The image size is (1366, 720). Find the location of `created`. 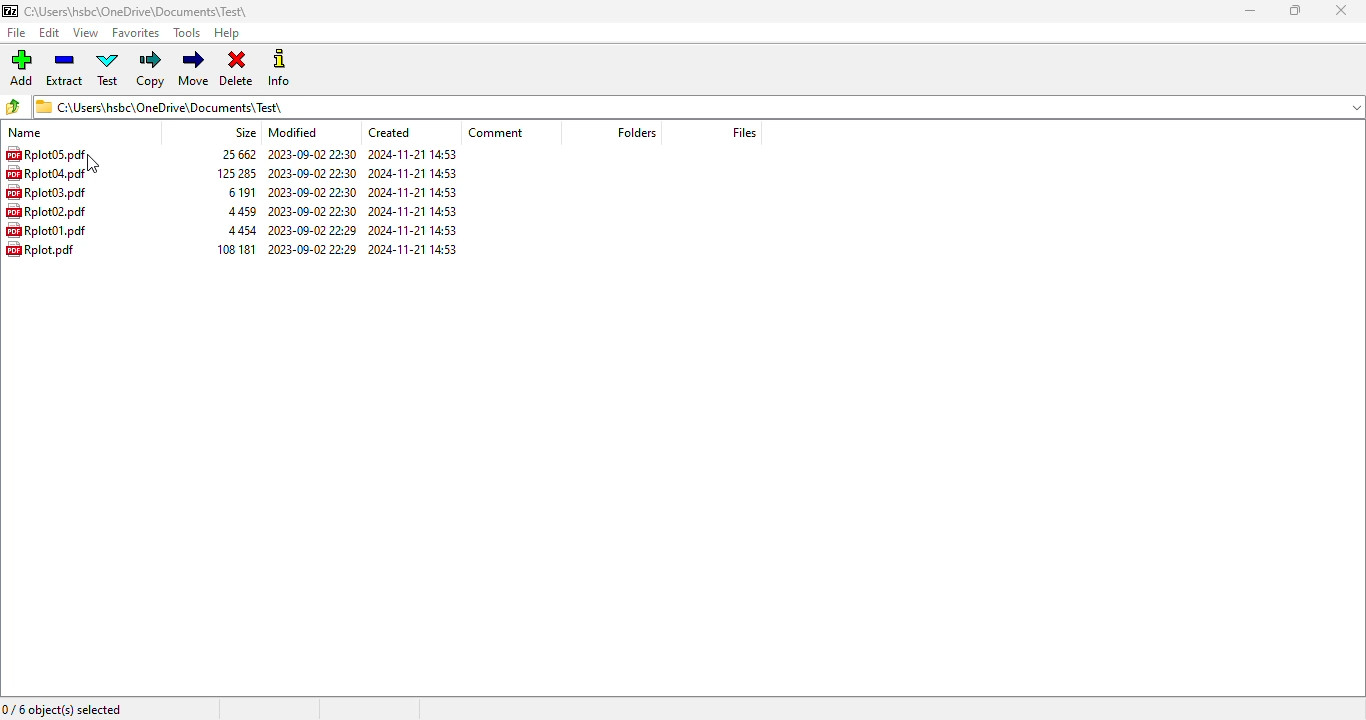

created is located at coordinates (389, 133).